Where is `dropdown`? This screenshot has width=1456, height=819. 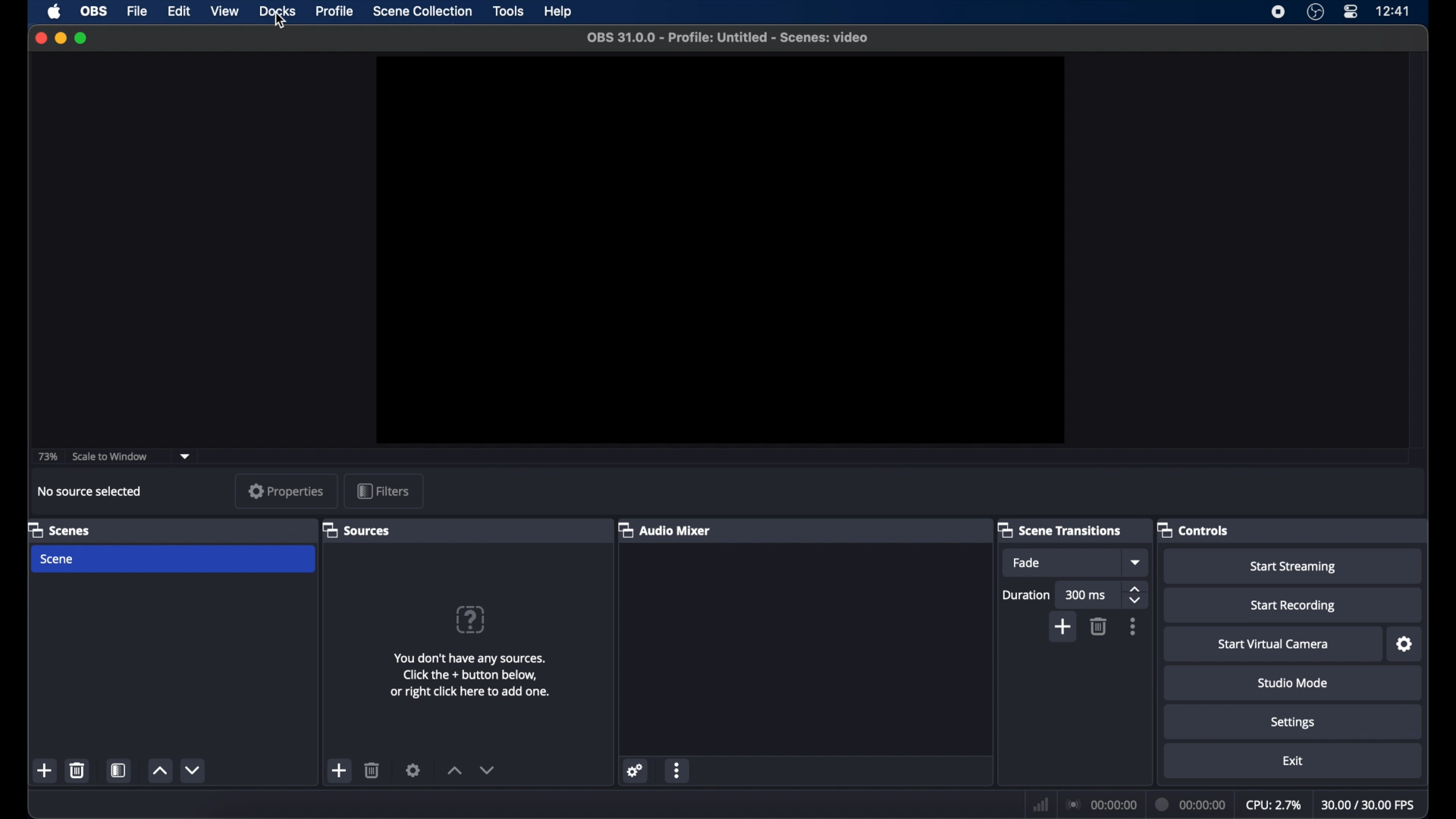 dropdown is located at coordinates (1137, 563).